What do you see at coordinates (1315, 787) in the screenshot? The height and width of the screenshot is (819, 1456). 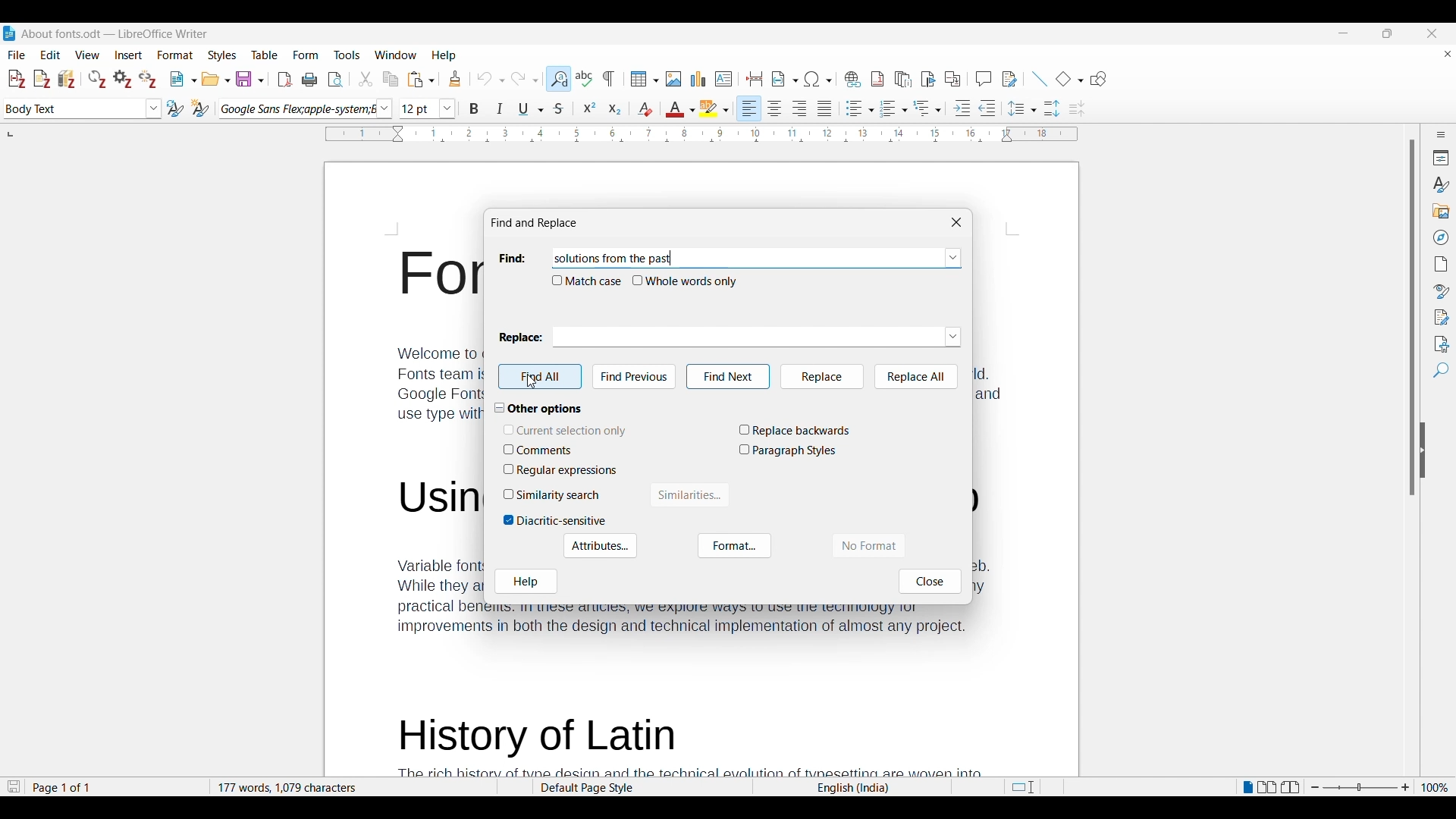 I see `Zoom out` at bounding box center [1315, 787].